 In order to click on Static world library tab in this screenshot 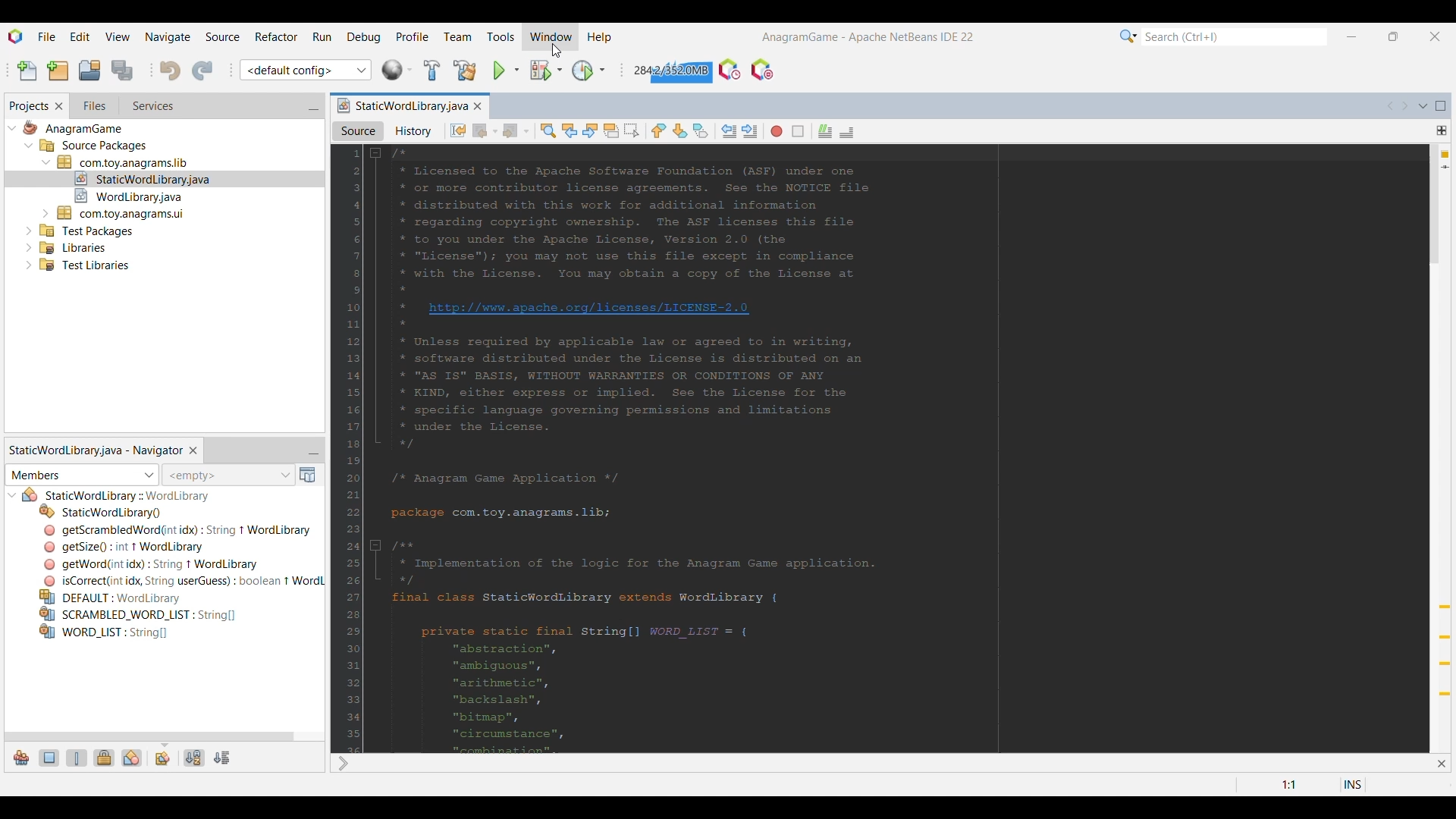, I will do `click(95, 450)`.